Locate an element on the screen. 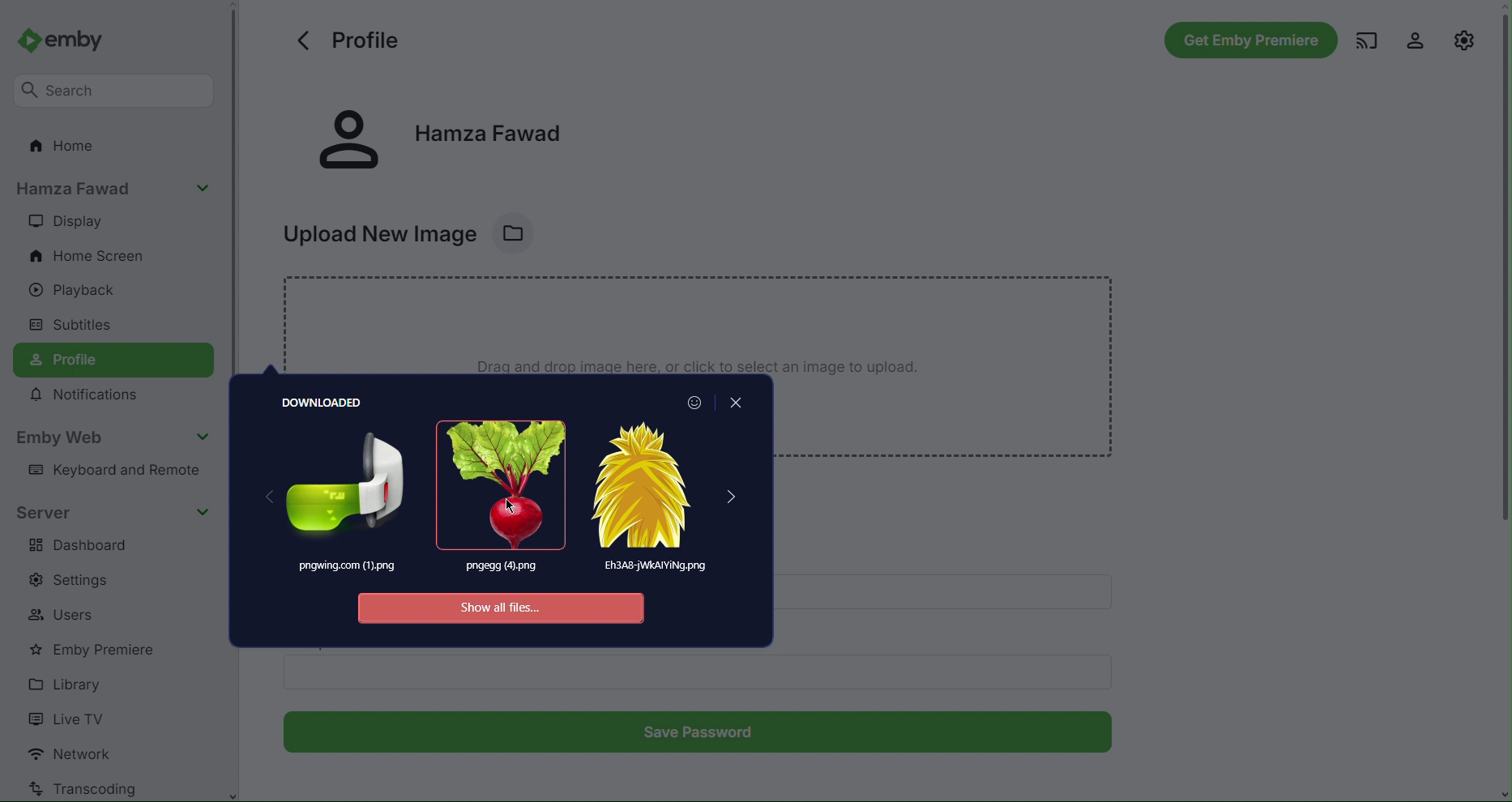 The width and height of the screenshot is (1512, 802). Image 1 is located at coordinates (349, 494).